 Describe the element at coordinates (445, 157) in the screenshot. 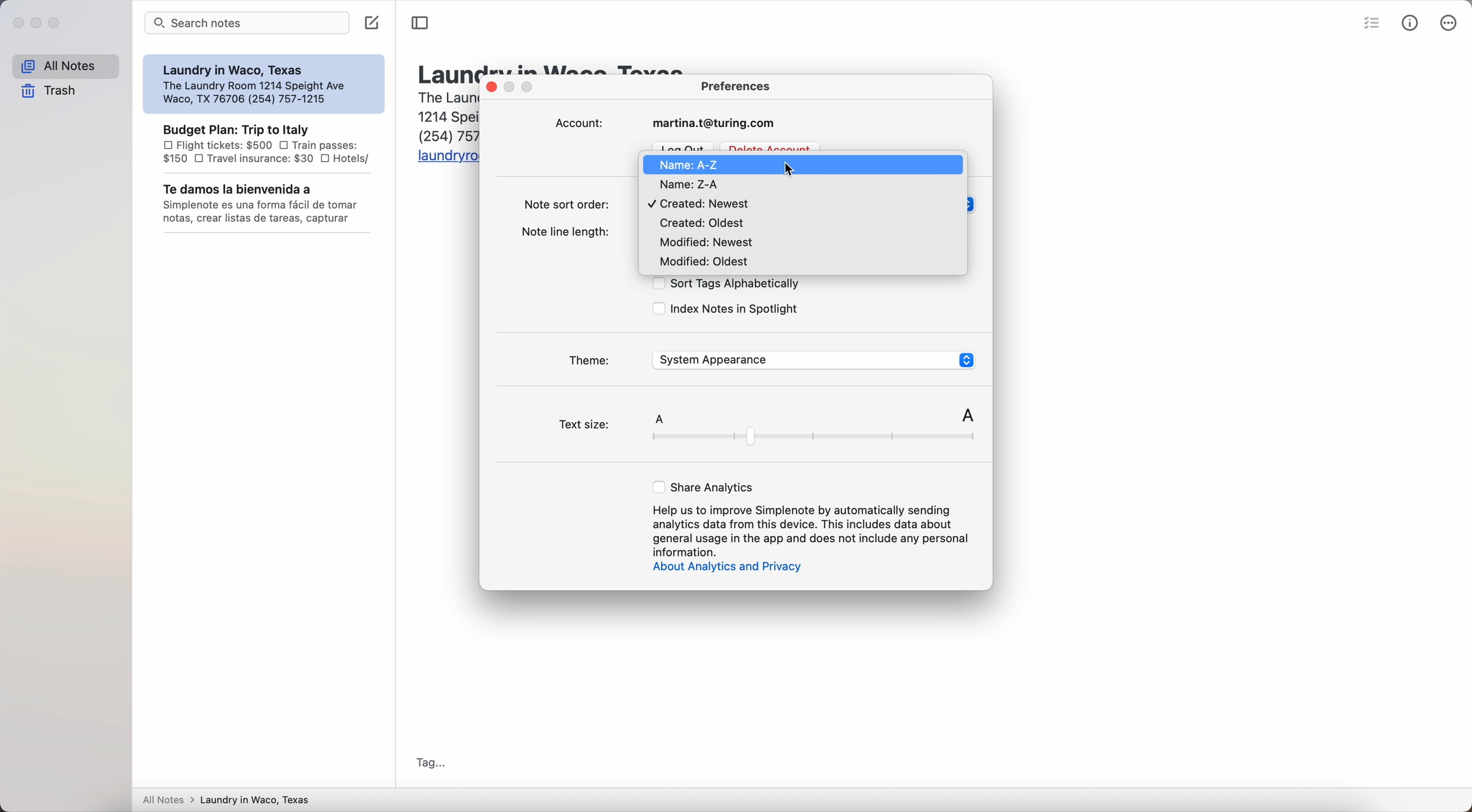

I see `URL: laundryroomwaco.com` at that location.